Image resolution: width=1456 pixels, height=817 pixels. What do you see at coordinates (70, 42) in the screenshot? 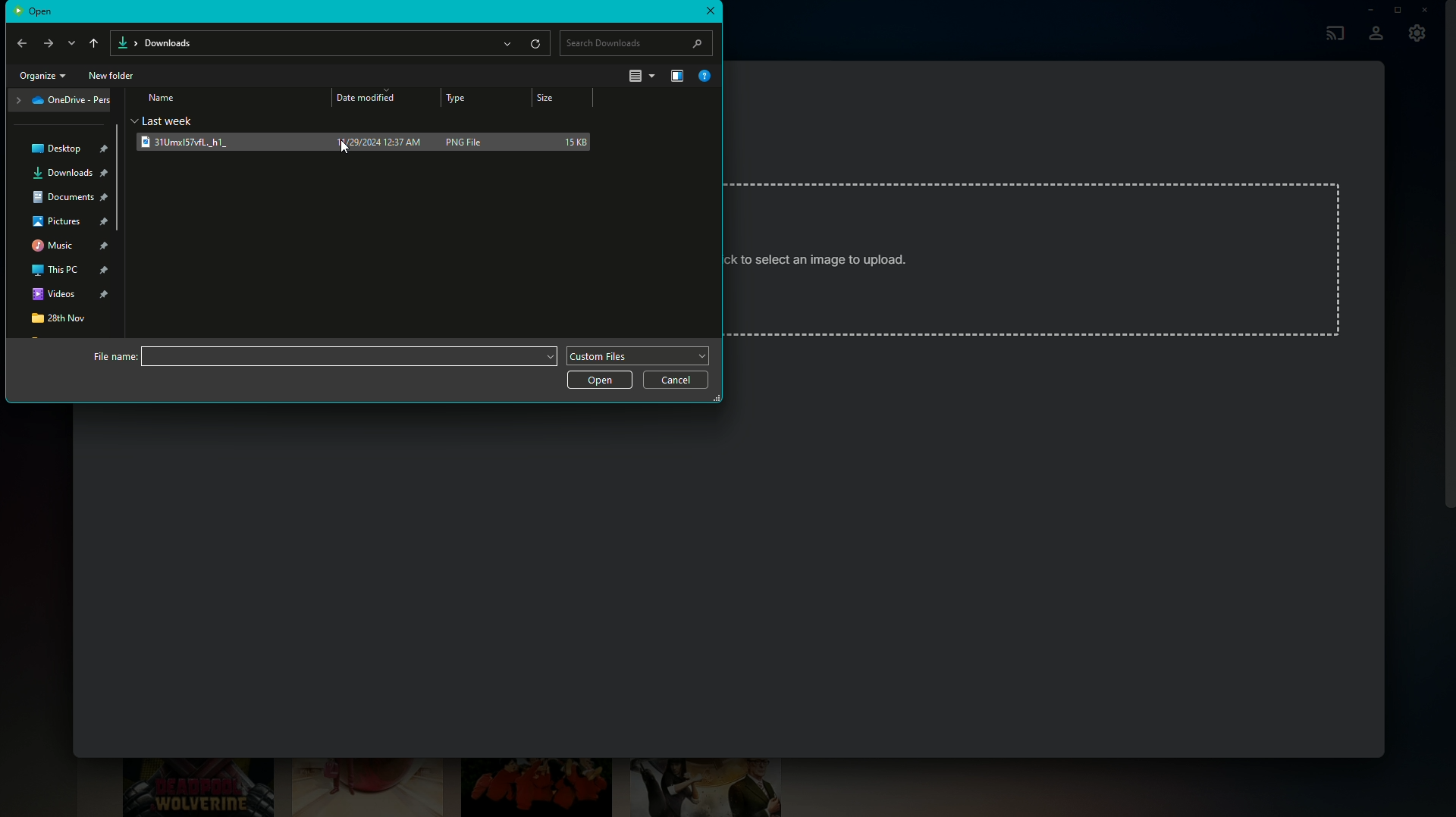
I see `Move down` at bounding box center [70, 42].